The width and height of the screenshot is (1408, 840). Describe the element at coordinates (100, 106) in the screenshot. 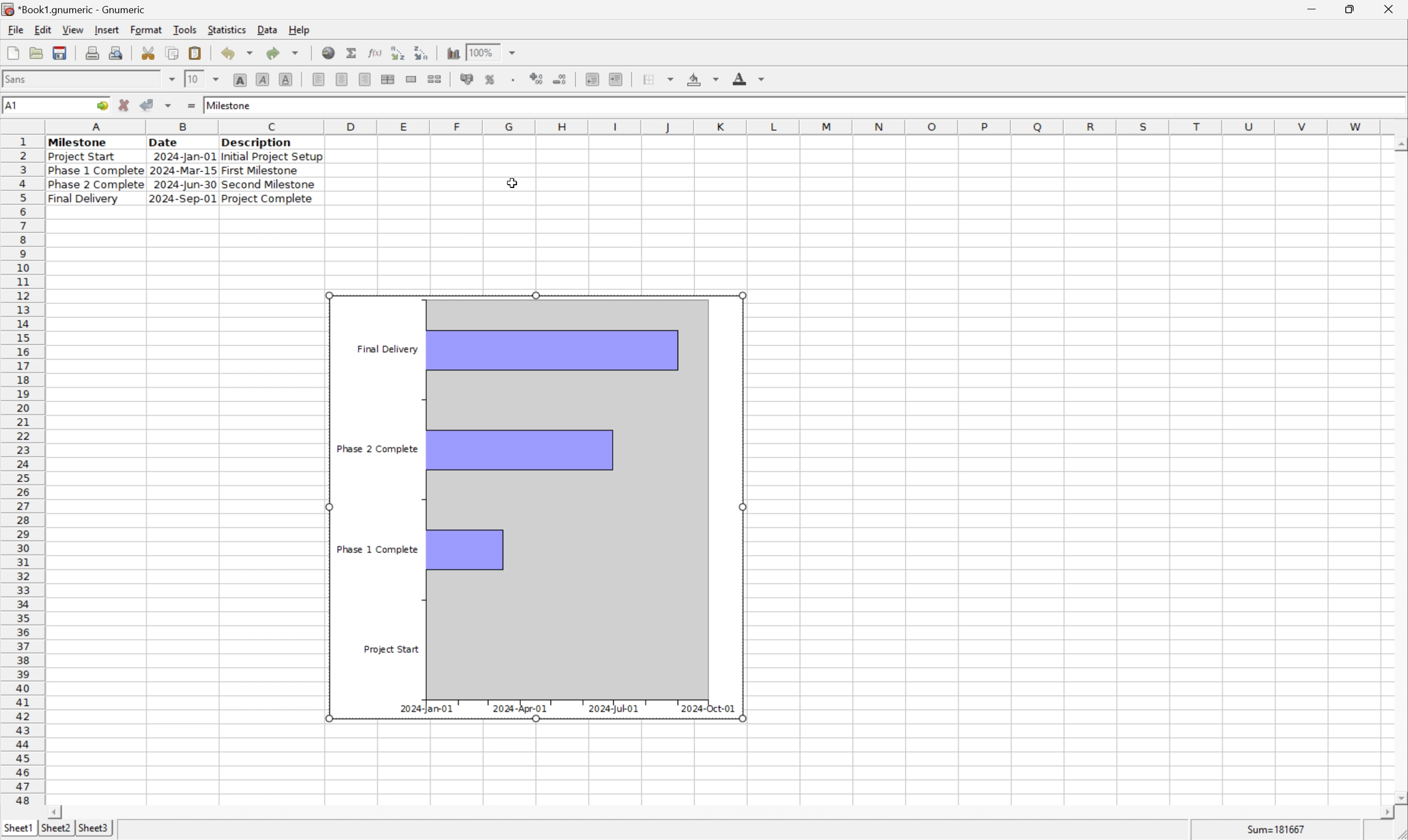

I see `go to` at that location.